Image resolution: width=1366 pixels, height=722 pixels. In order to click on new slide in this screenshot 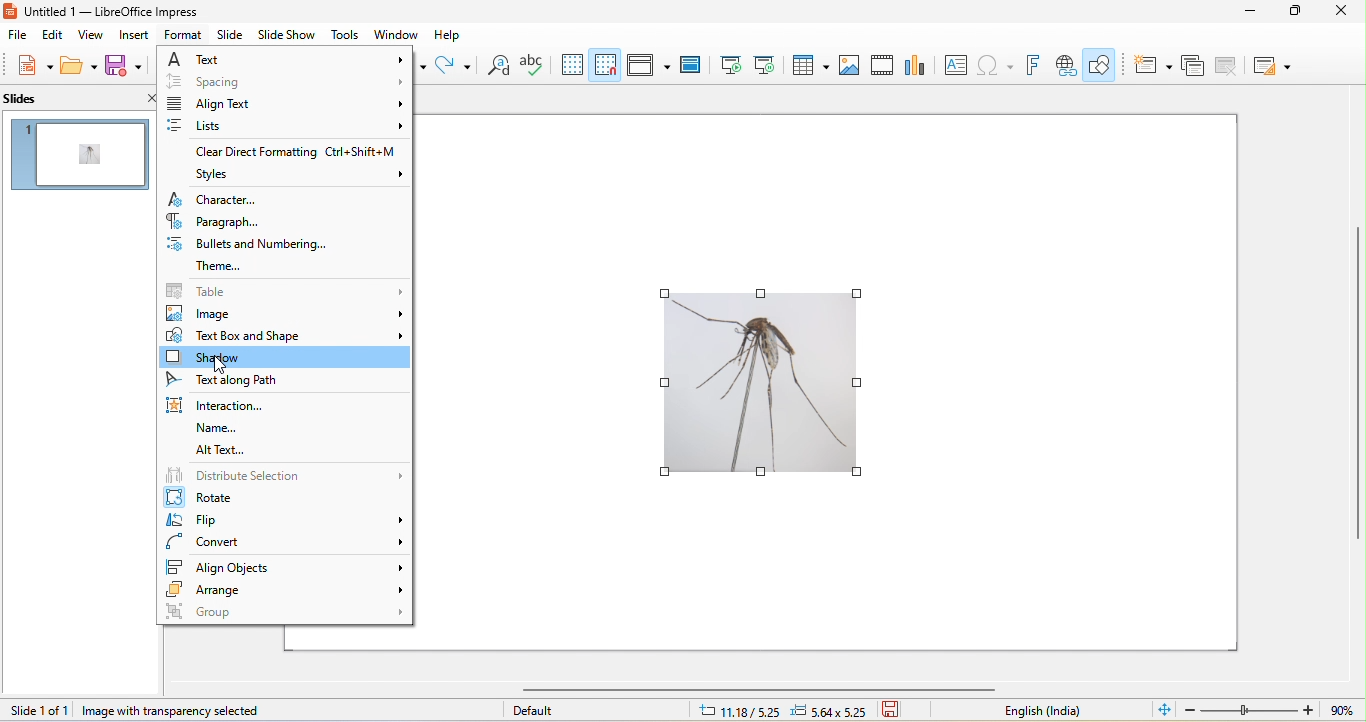, I will do `click(1148, 64)`.